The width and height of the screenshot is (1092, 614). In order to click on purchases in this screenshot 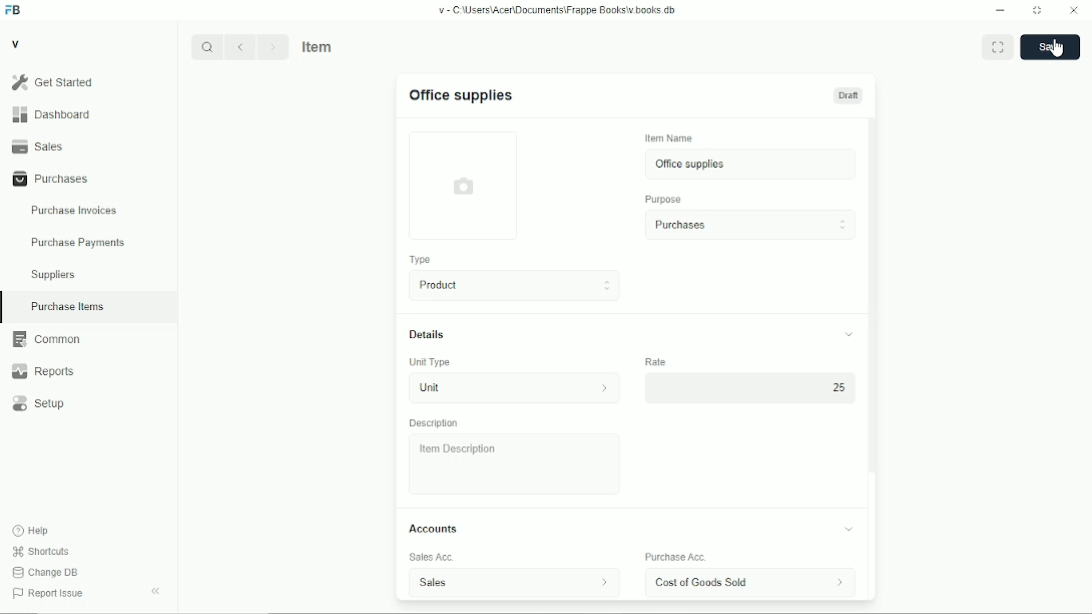, I will do `click(51, 179)`.